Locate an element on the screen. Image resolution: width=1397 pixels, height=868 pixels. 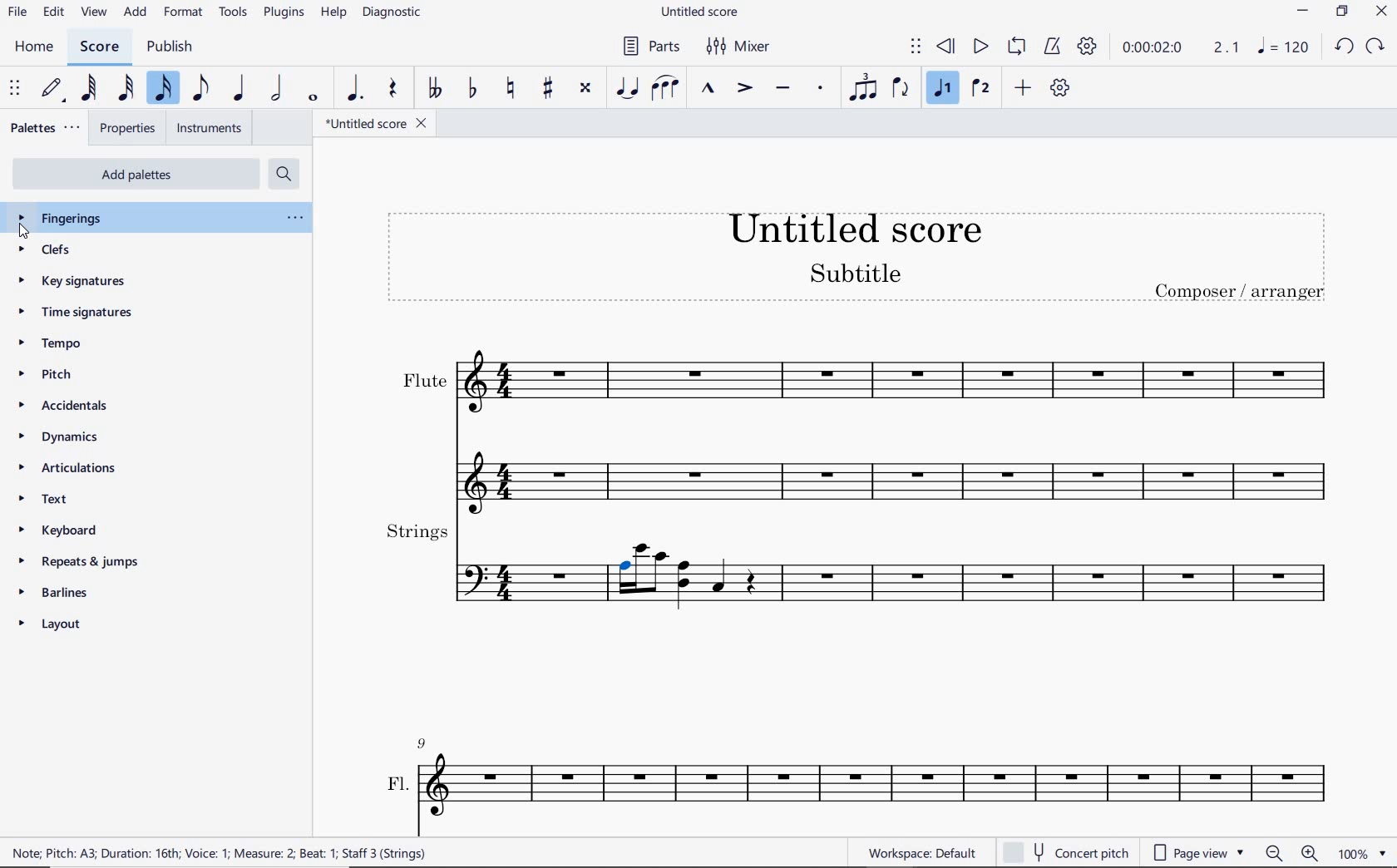
home is located at coordinates (33, 47).